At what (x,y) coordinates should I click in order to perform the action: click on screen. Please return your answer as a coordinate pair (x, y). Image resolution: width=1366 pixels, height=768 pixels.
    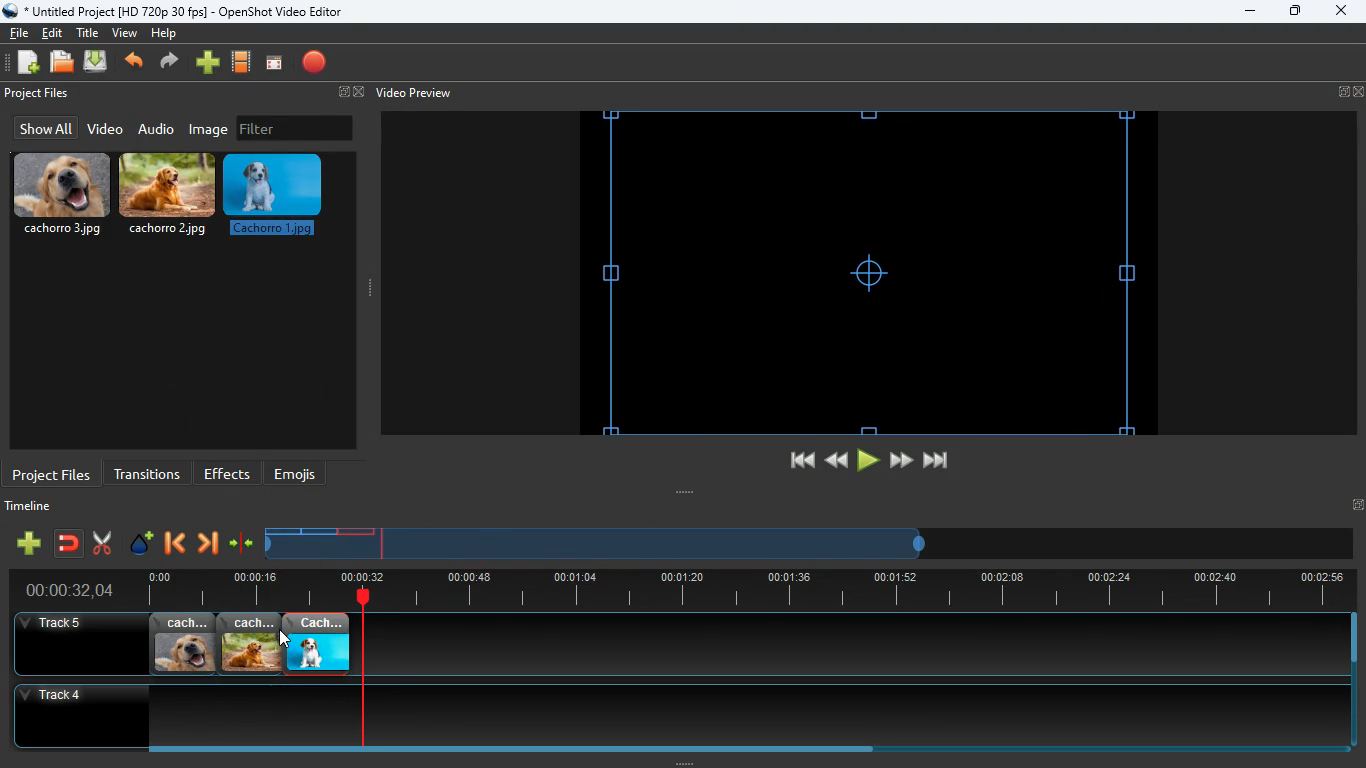
    Looking at the image, I should click on (869, 272).